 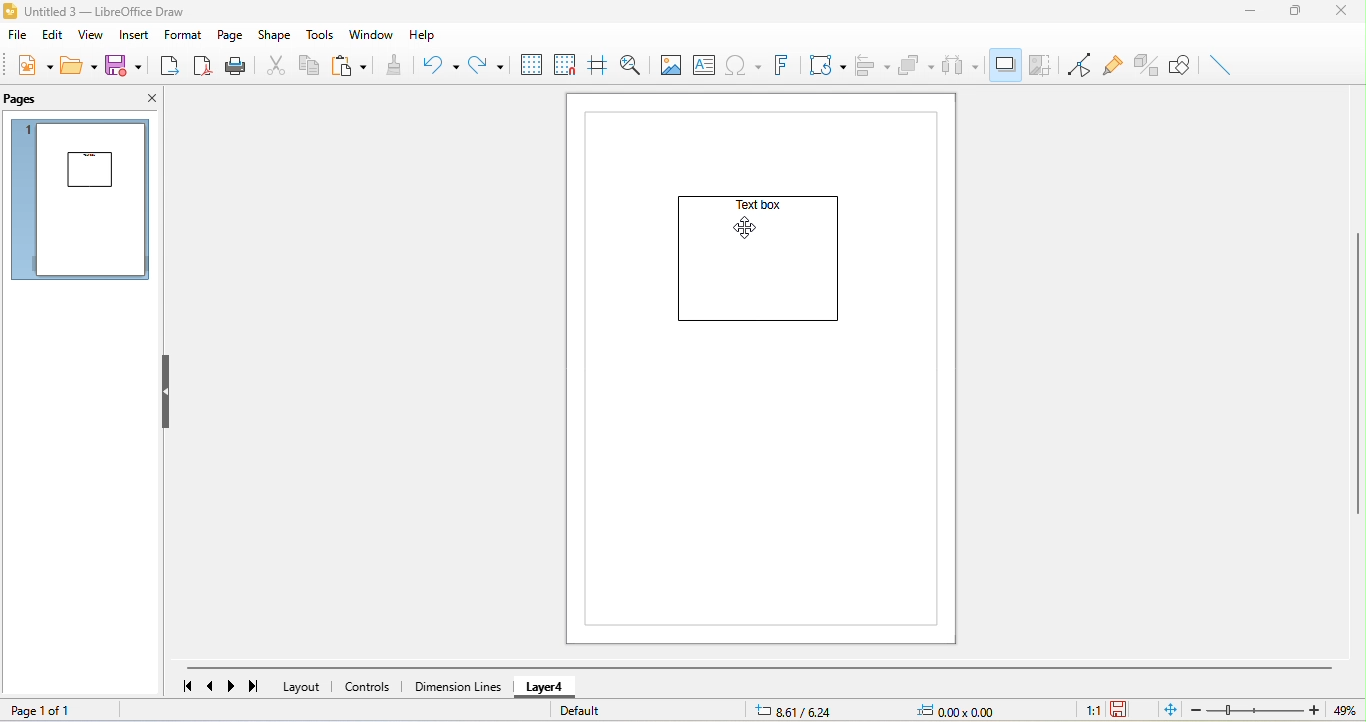 I want to click on last page, so click(x=259, y=689).